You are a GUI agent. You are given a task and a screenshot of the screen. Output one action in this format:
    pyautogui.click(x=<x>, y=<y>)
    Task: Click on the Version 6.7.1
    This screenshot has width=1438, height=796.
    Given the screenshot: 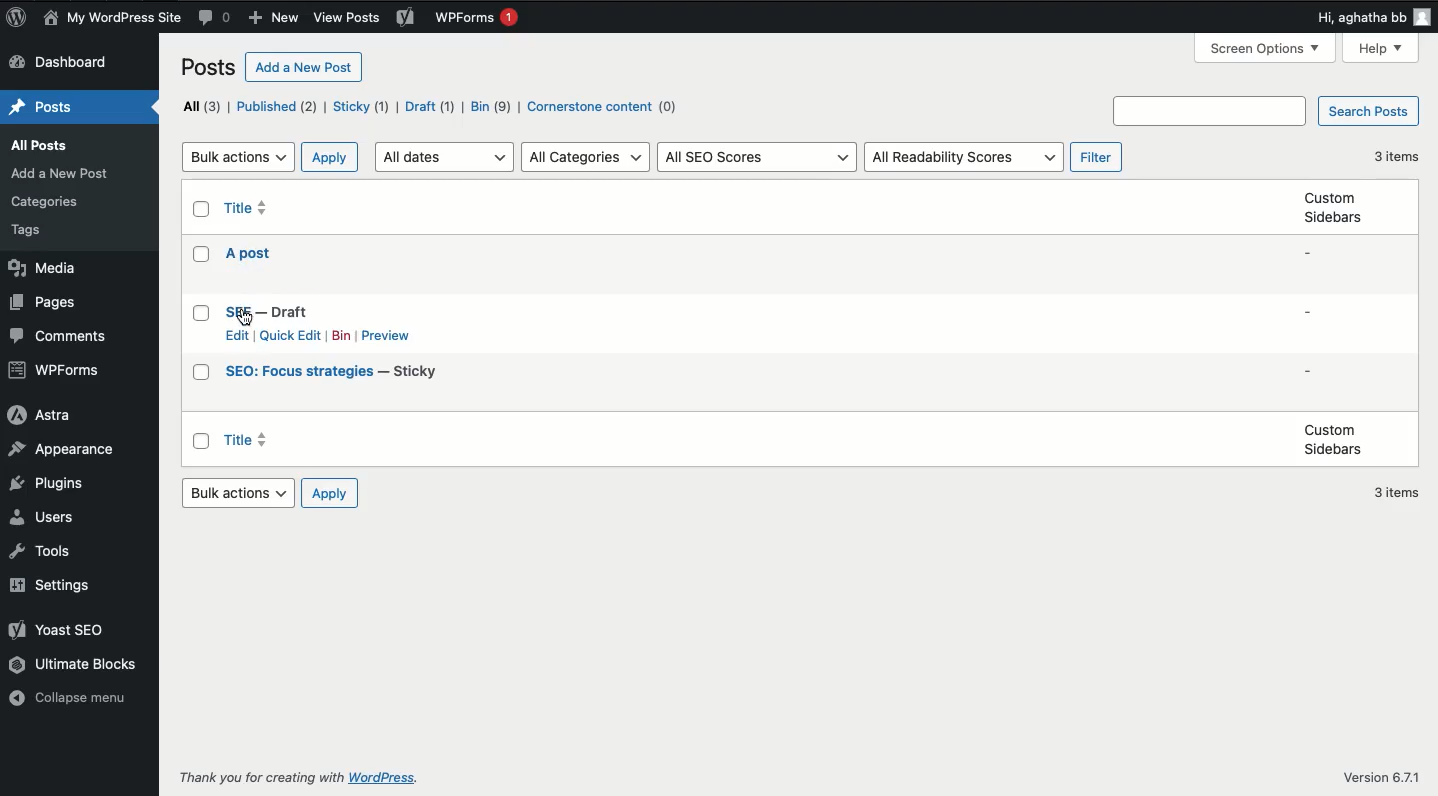 What is the action you would take?
    pyautogui.click(x=1383, y=778)
    